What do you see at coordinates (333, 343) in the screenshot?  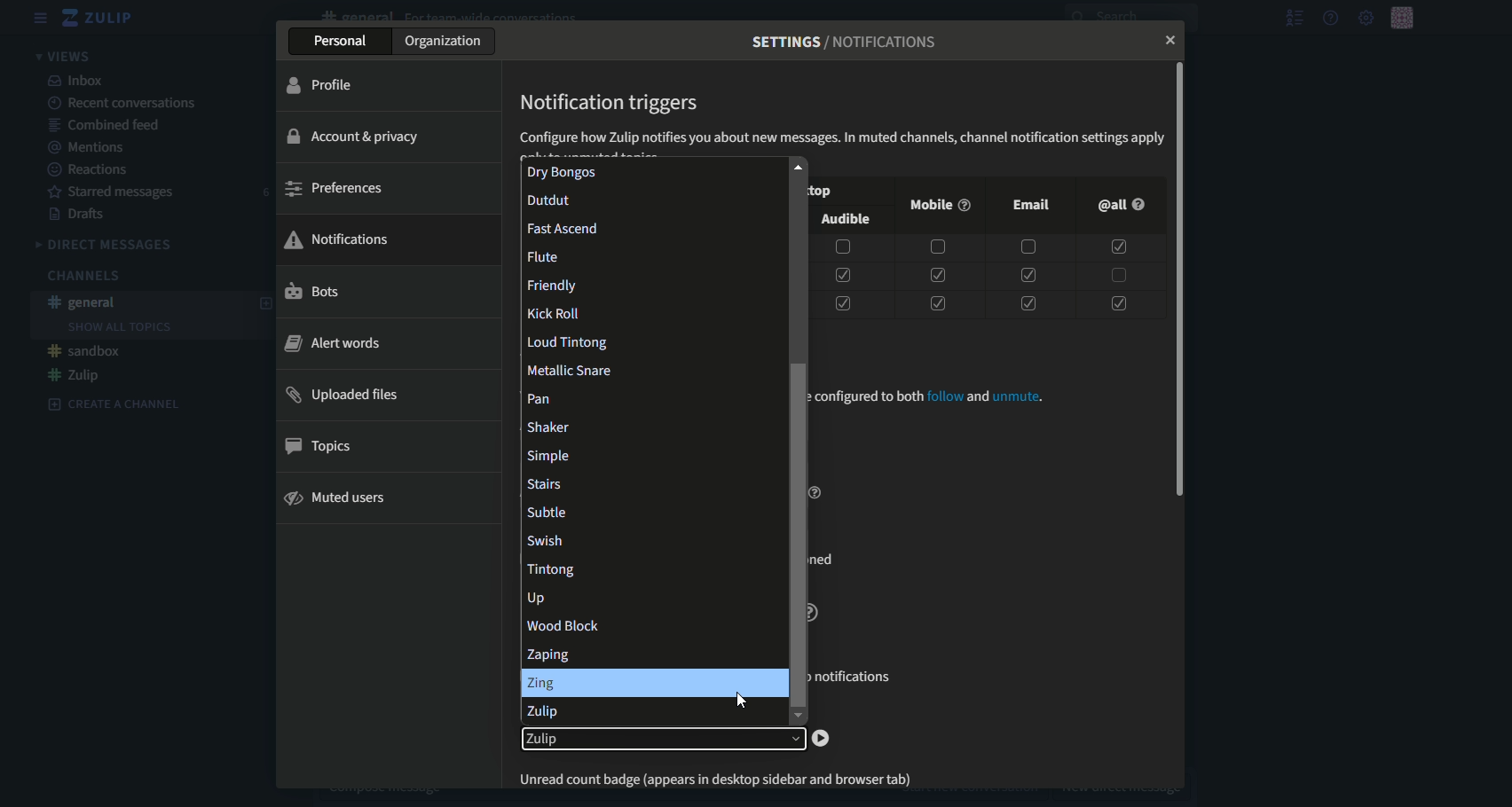 I see `alert words` at bounding box center [333, 343].